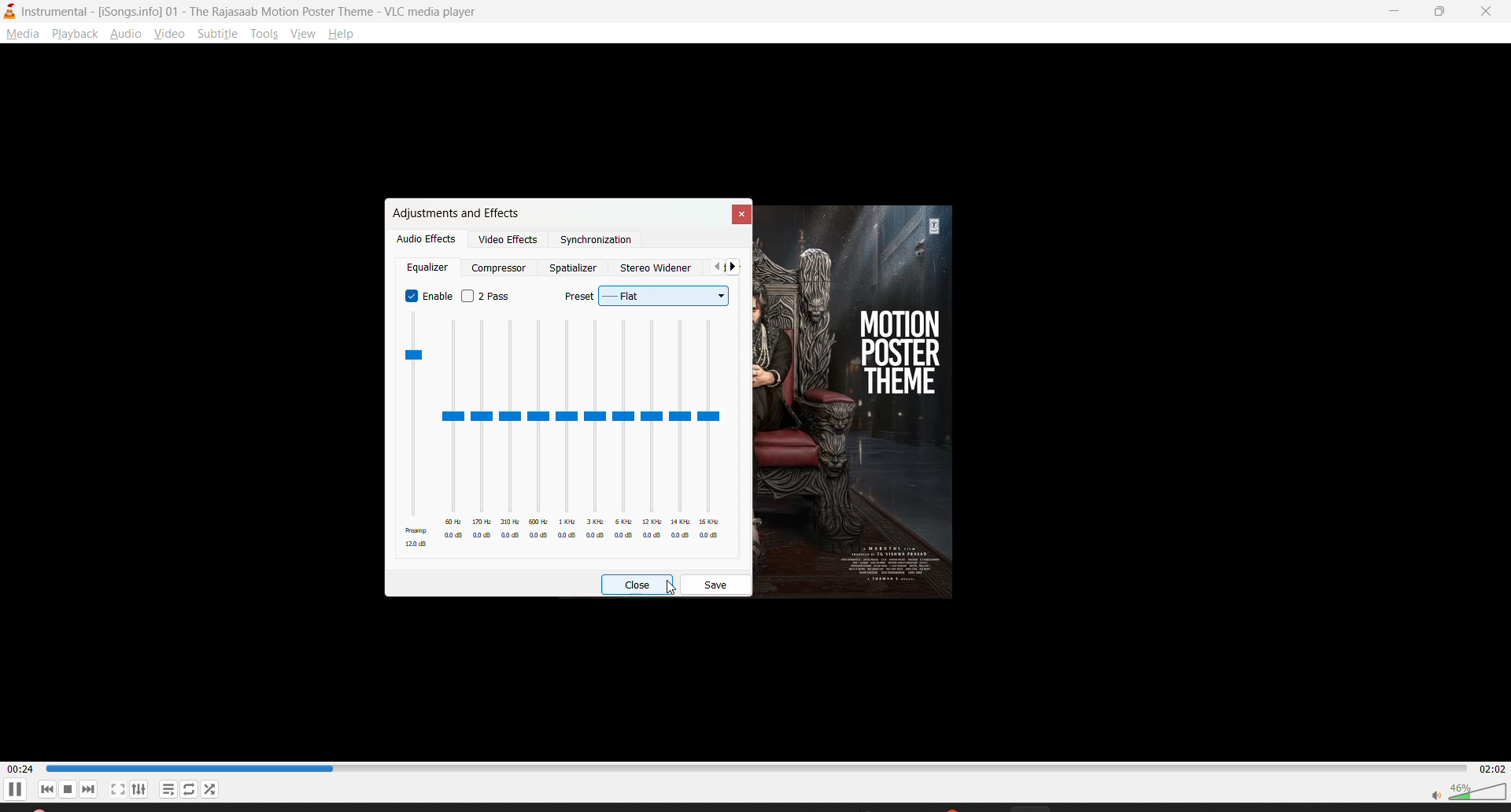  I want to click on next, so click(737, 268).